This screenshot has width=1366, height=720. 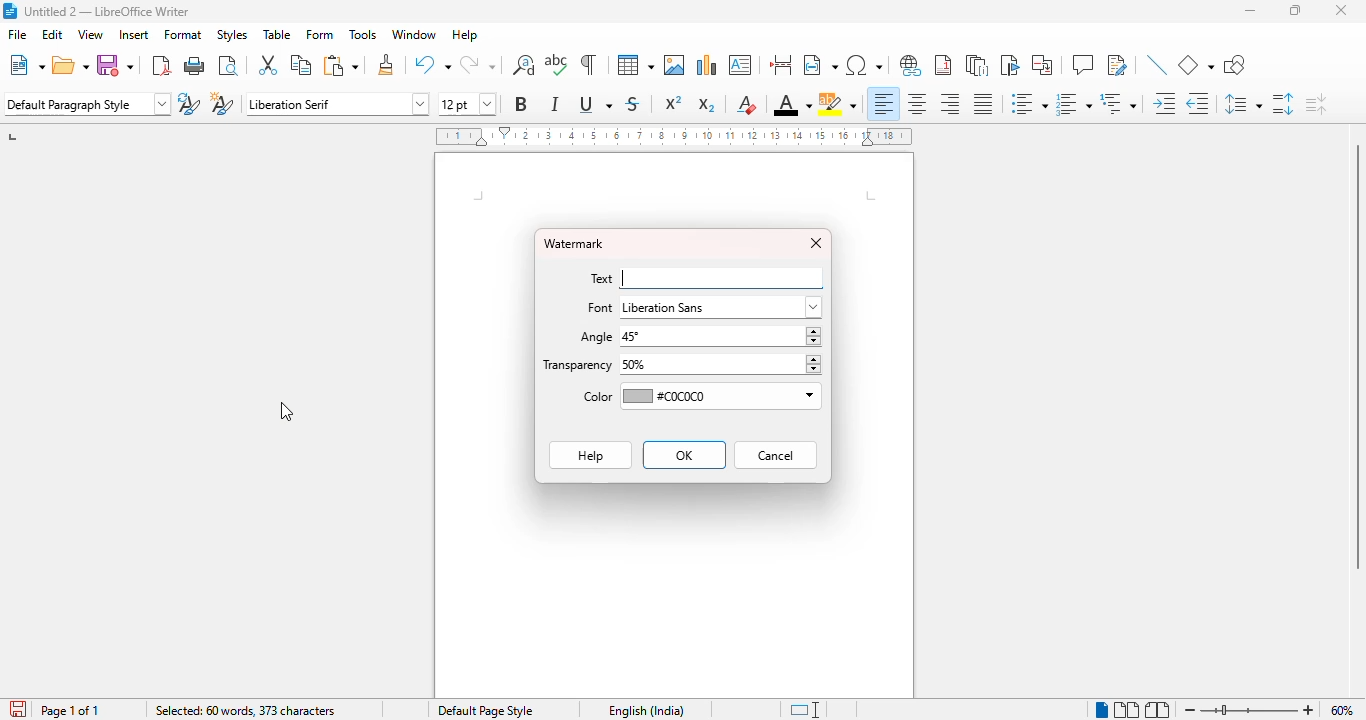 What do you see at coordinates (114, 65) in the screenshot?
I see `save` at bounding box center [114, 65].